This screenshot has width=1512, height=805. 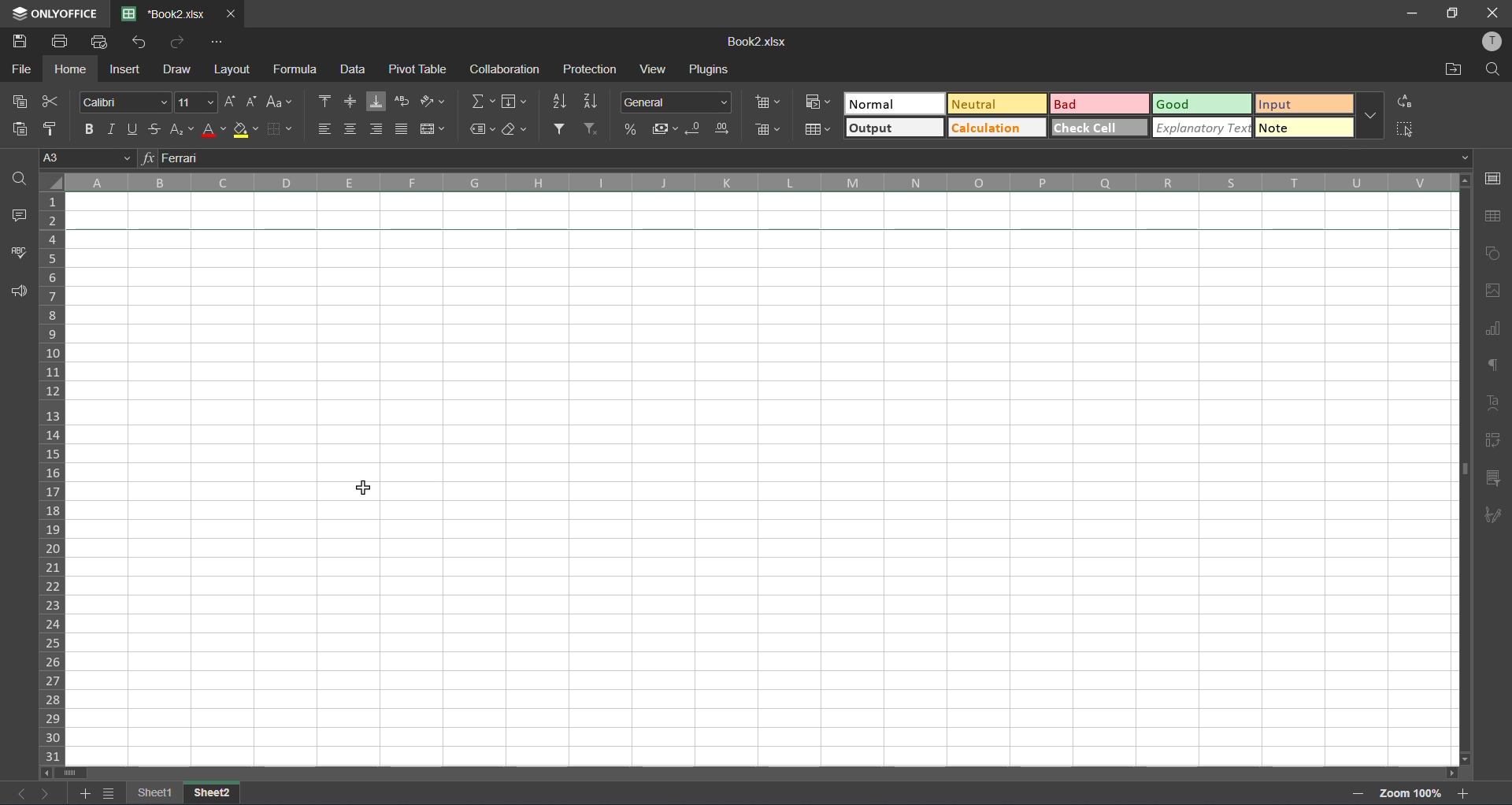 I want to click on strikethrough, so click(x=157, y=128).